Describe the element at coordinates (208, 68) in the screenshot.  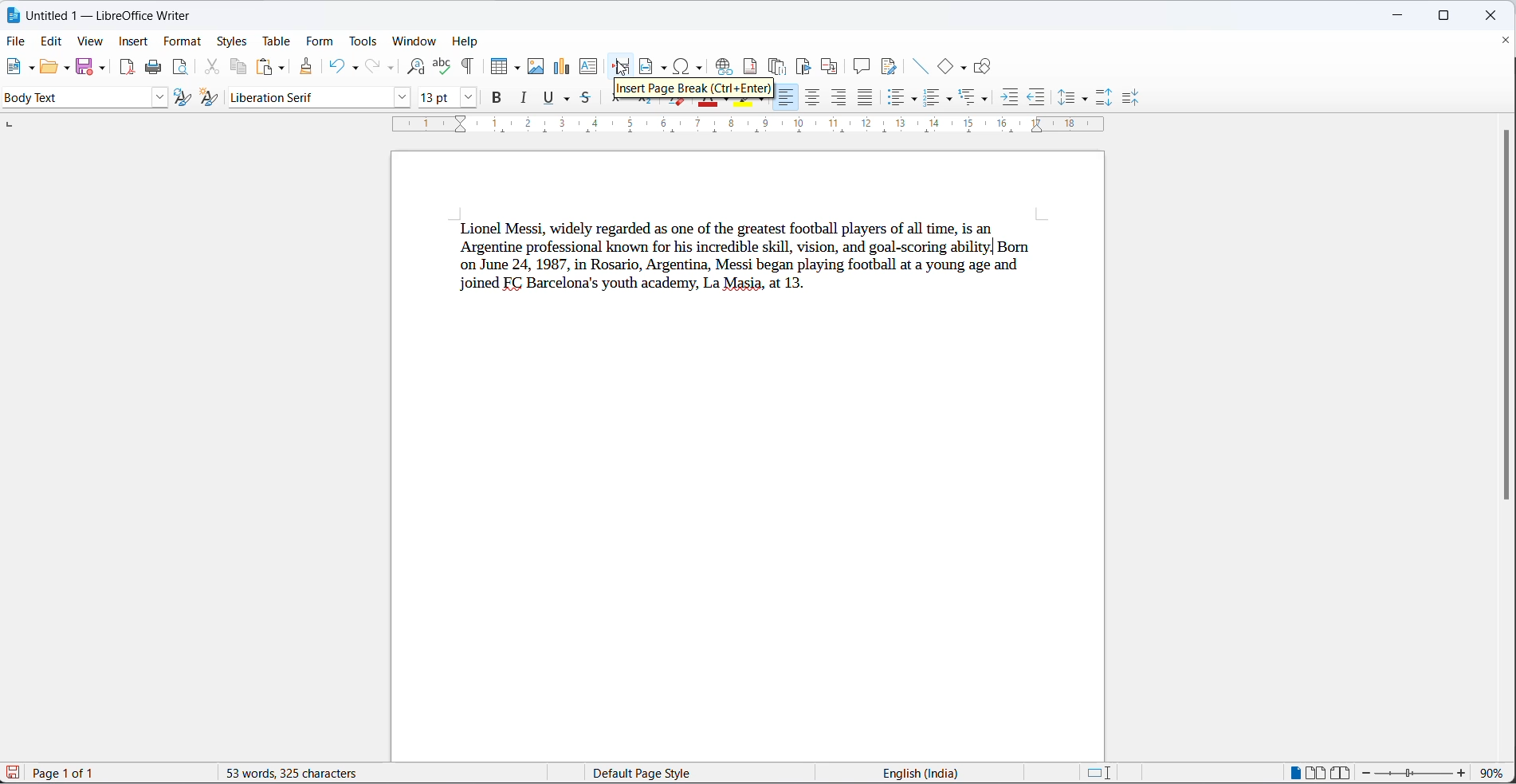
I see `cut` at that location.